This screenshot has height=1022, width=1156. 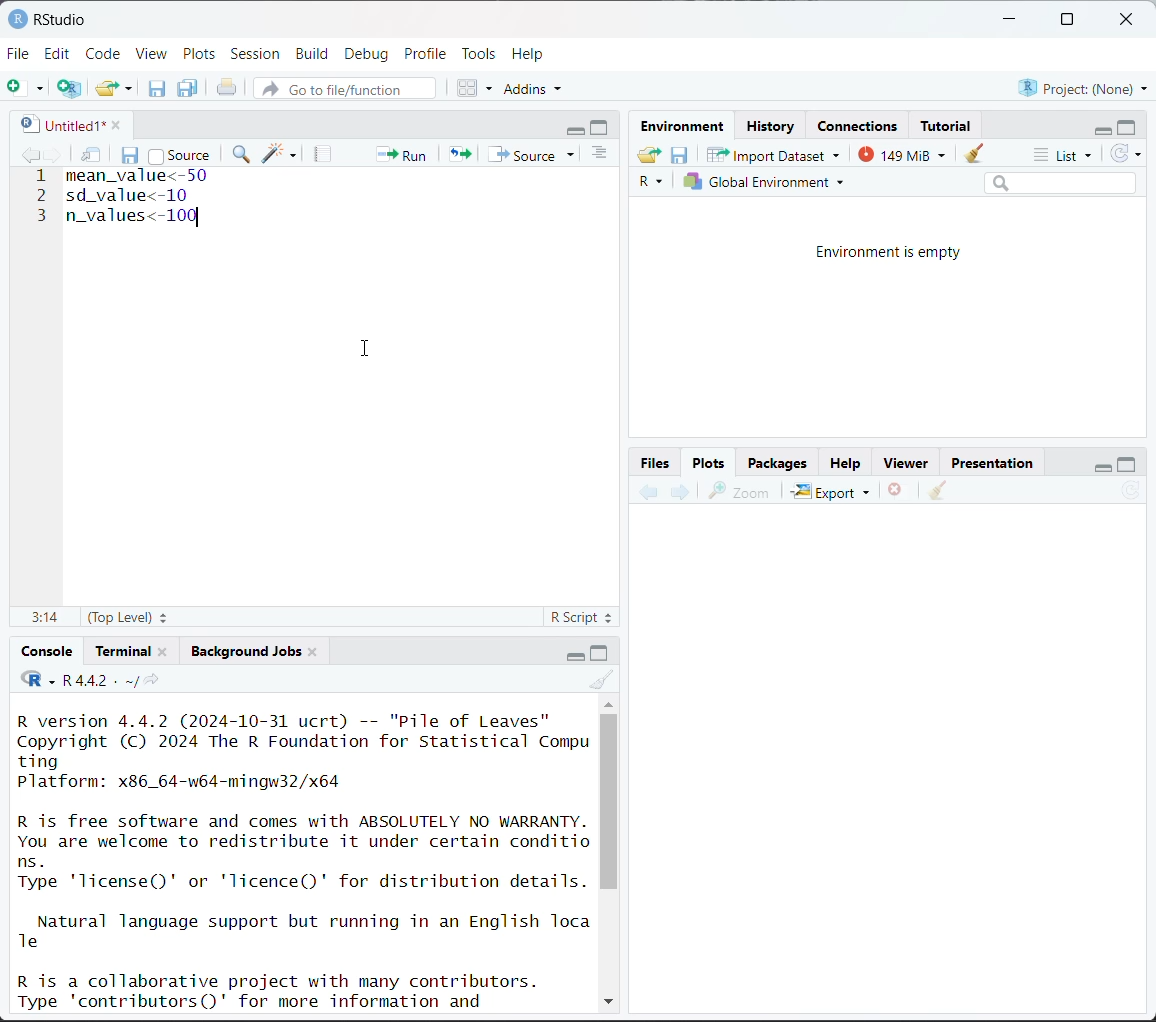 I want to click on  148 MiB, so click(x=899, y=153).